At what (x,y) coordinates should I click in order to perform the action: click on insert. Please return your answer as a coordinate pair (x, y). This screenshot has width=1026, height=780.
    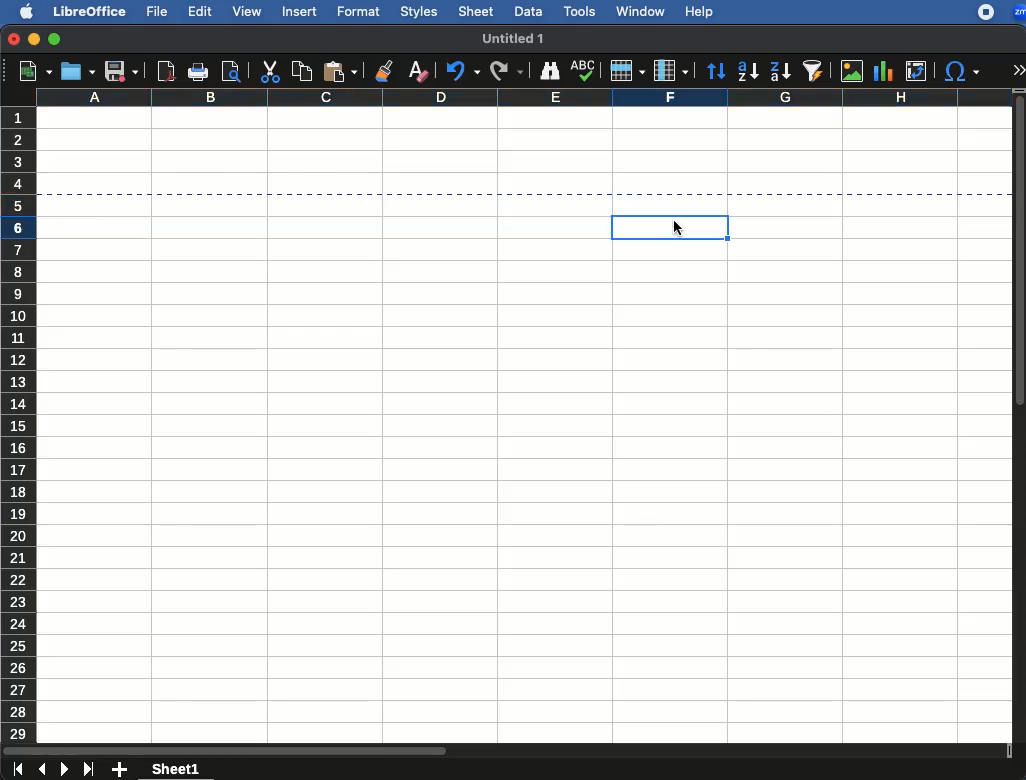
    Looking at the image, I should click on (303, 12).